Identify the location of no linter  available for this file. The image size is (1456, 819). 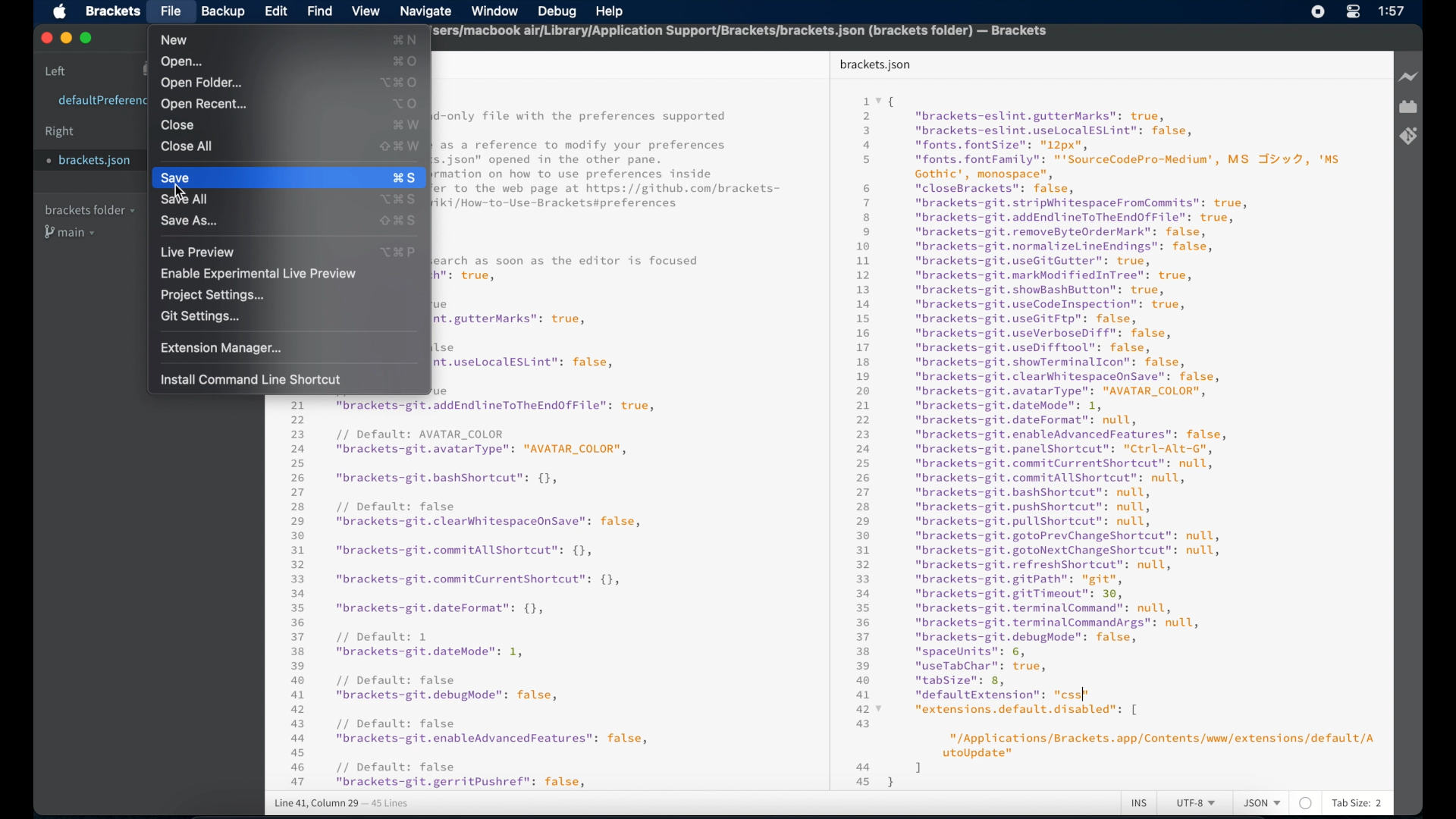
(1305, 804).